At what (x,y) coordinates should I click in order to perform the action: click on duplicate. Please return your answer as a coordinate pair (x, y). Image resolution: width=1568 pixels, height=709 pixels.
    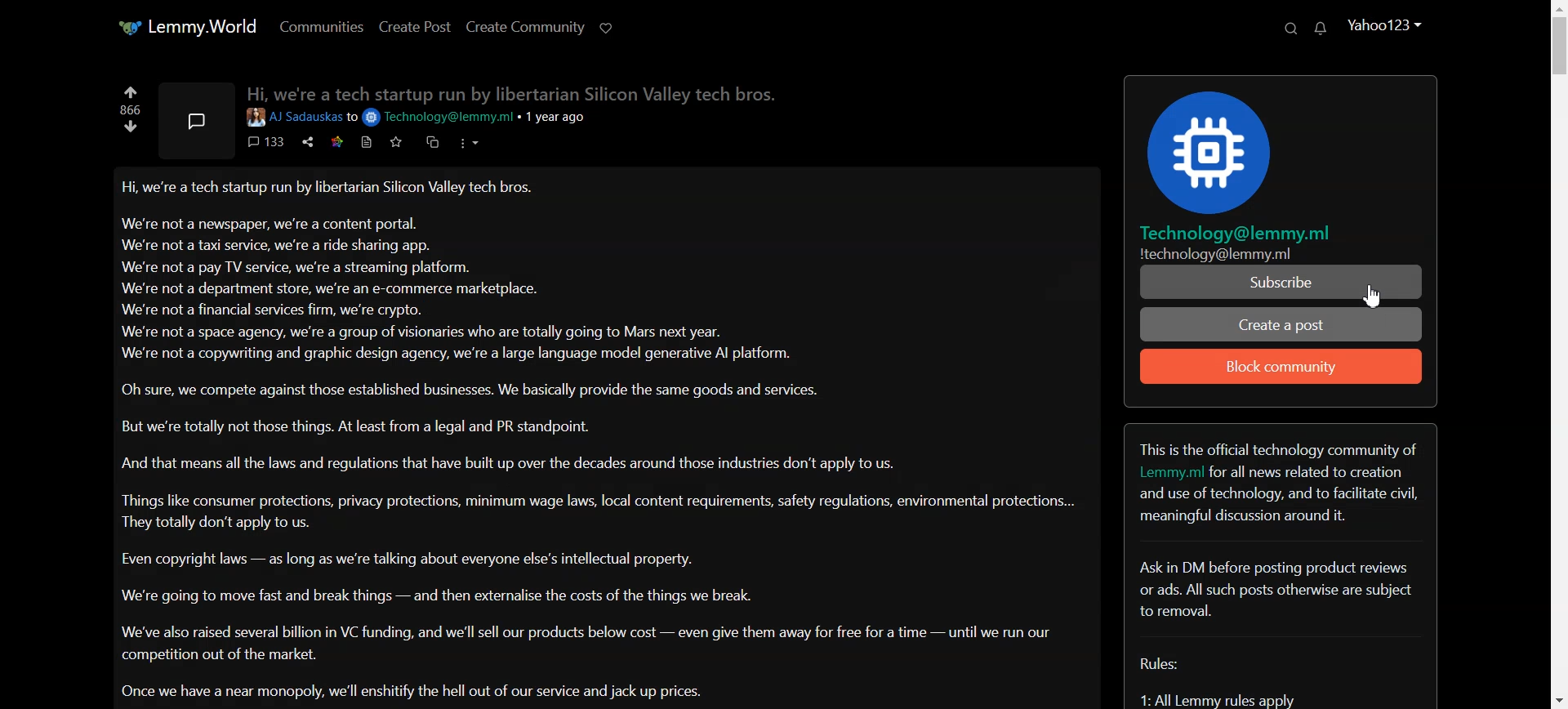
    Looking at the image, I should click on (431, 143).